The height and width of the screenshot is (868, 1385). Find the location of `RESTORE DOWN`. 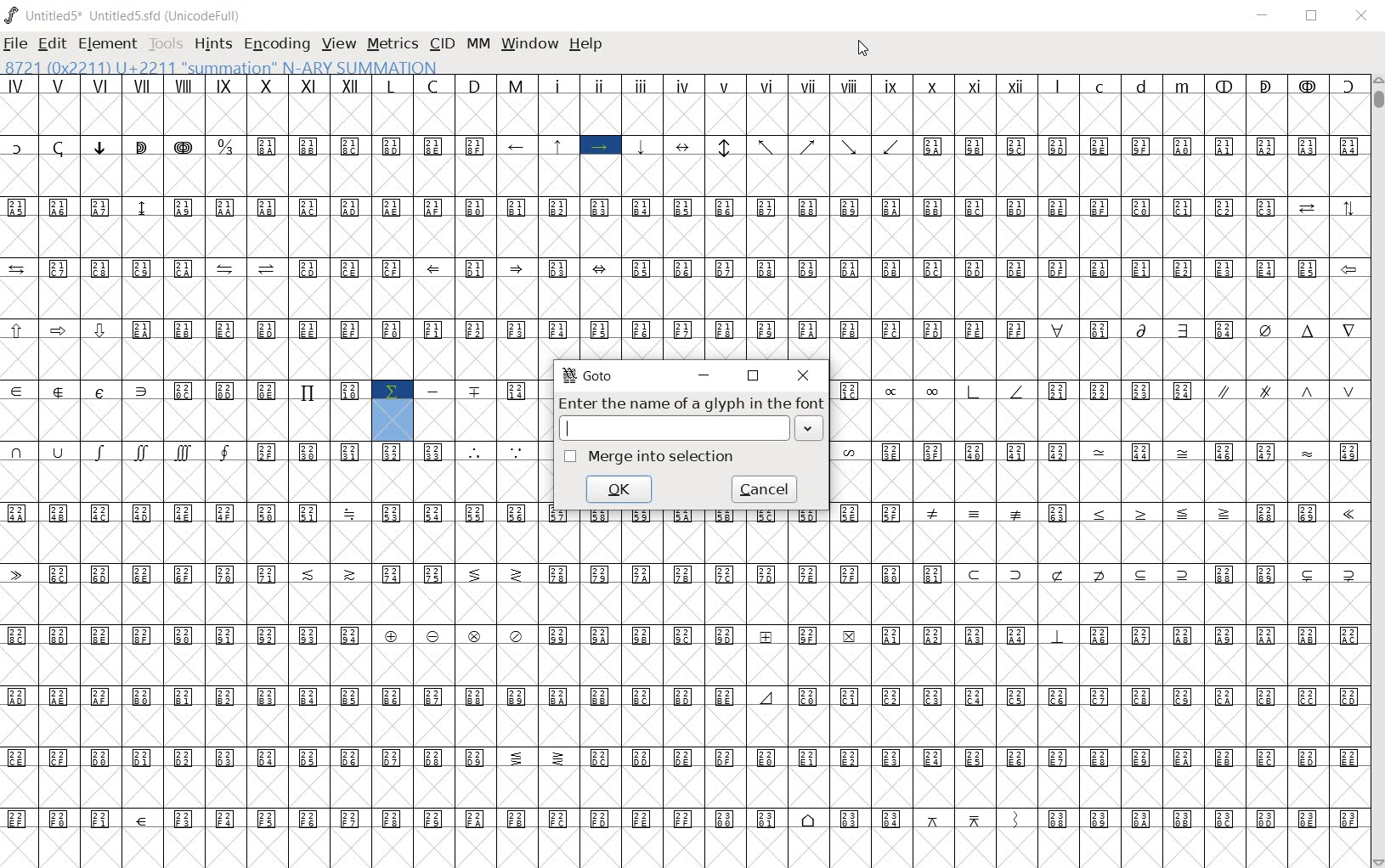

RESTORE DOWN is located at coordinates (1312, 17).